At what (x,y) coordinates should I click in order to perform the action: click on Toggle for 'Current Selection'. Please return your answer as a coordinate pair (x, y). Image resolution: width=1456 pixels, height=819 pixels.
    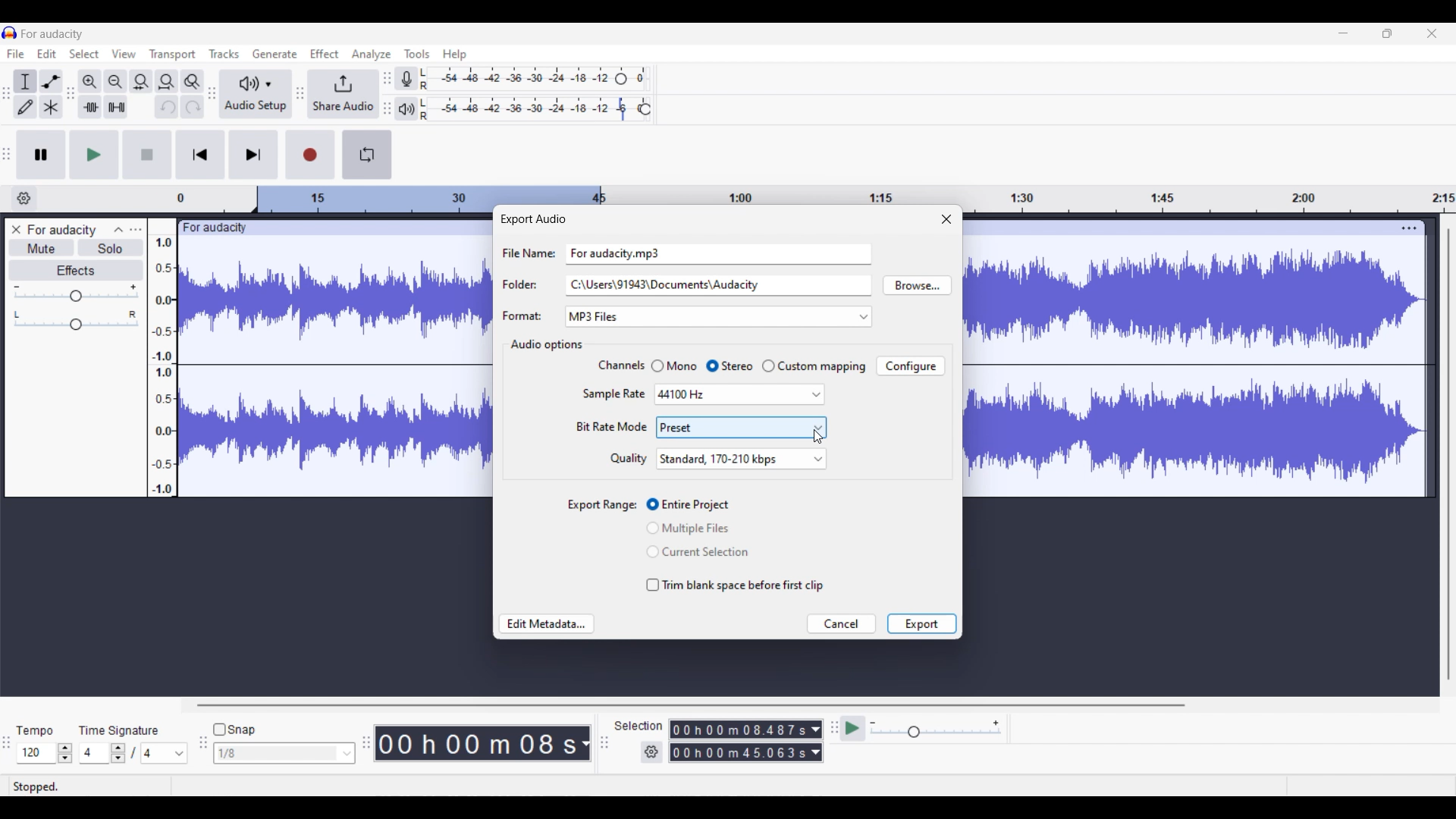
    Looking at the image, I should click on (698, 552).